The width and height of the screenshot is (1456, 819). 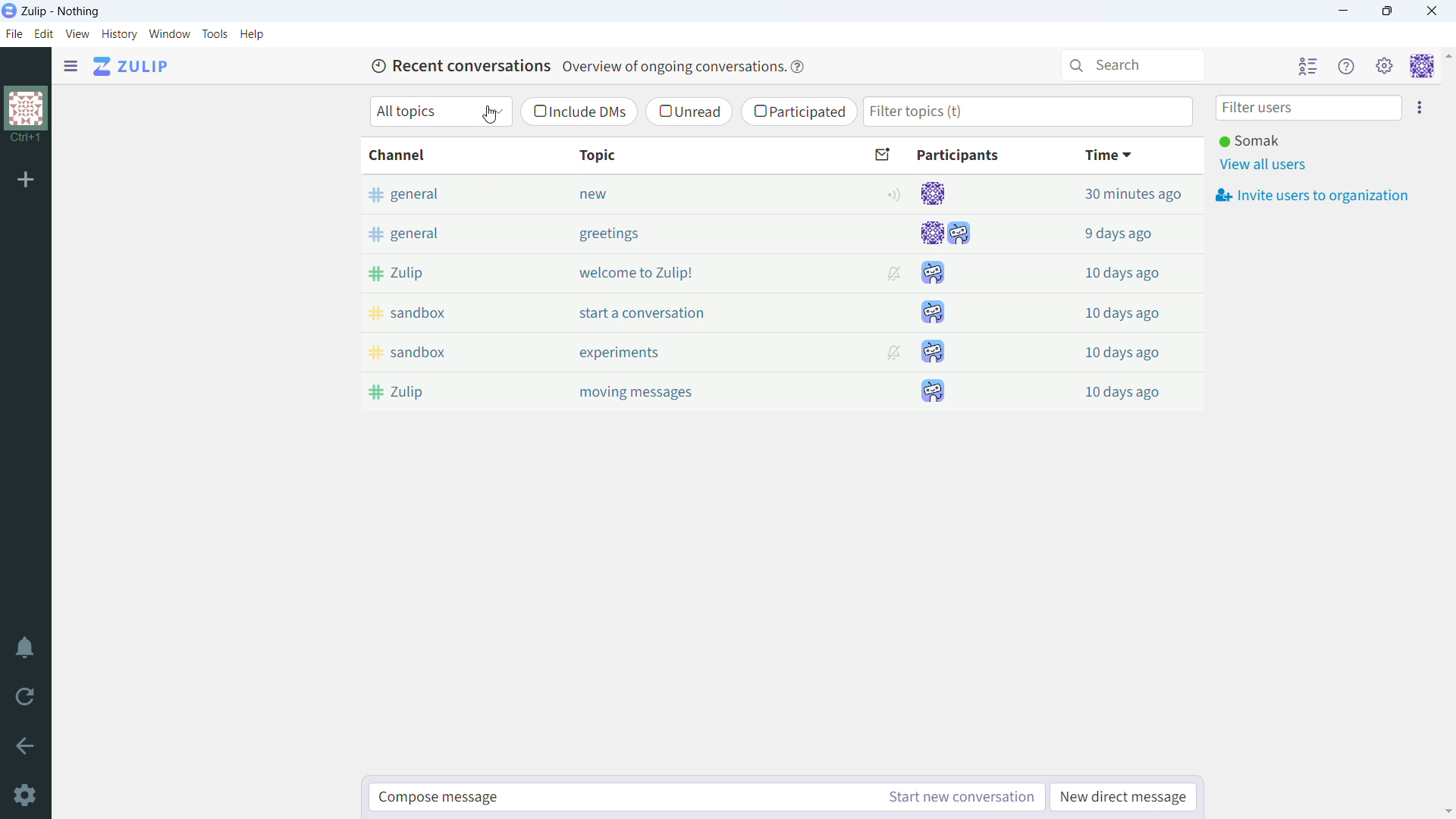 I want to click on sandbox, so click(x=444, y=352).